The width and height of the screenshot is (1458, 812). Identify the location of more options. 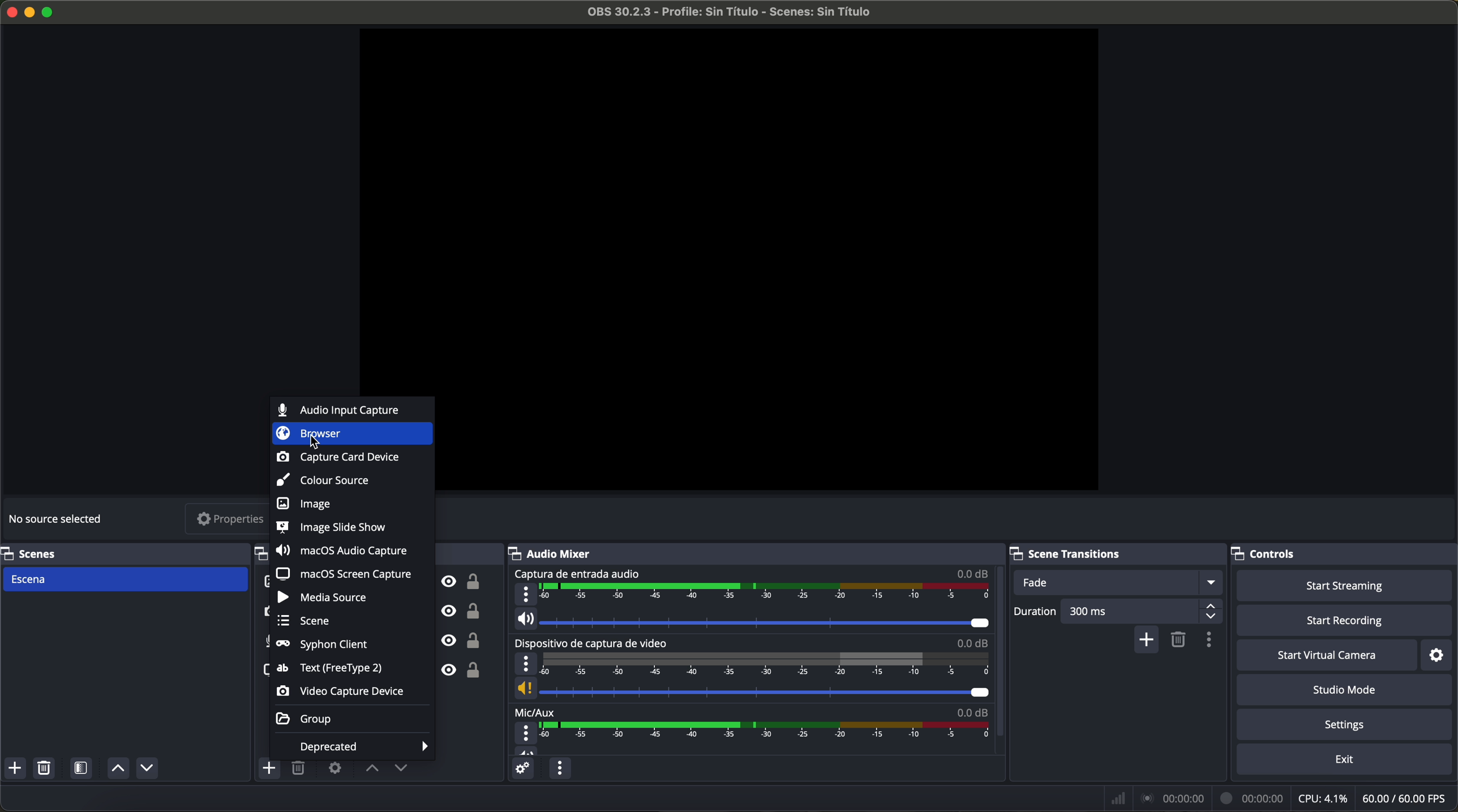
(524, 664).